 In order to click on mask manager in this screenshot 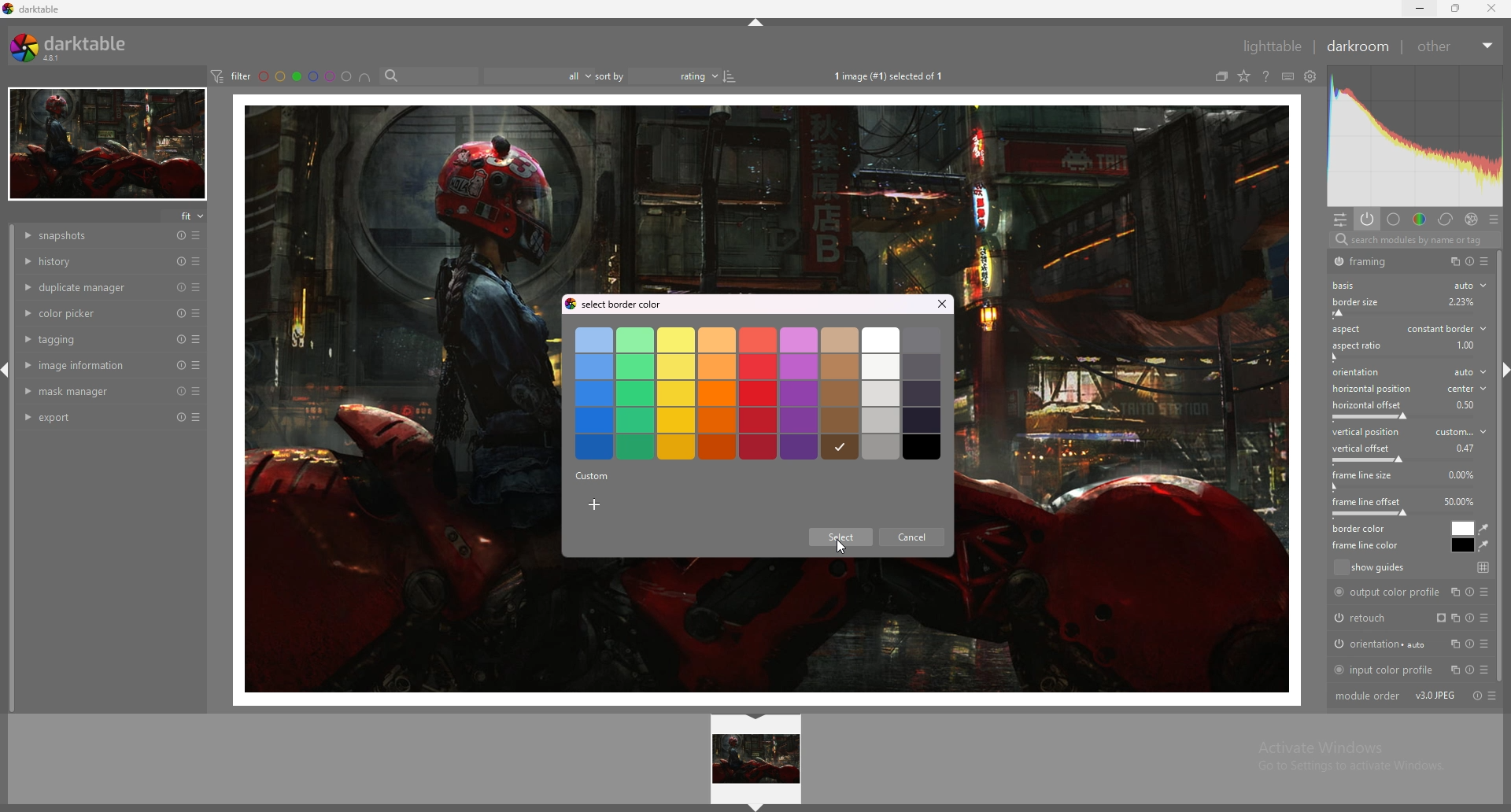, I will do `click(94, 391)`.